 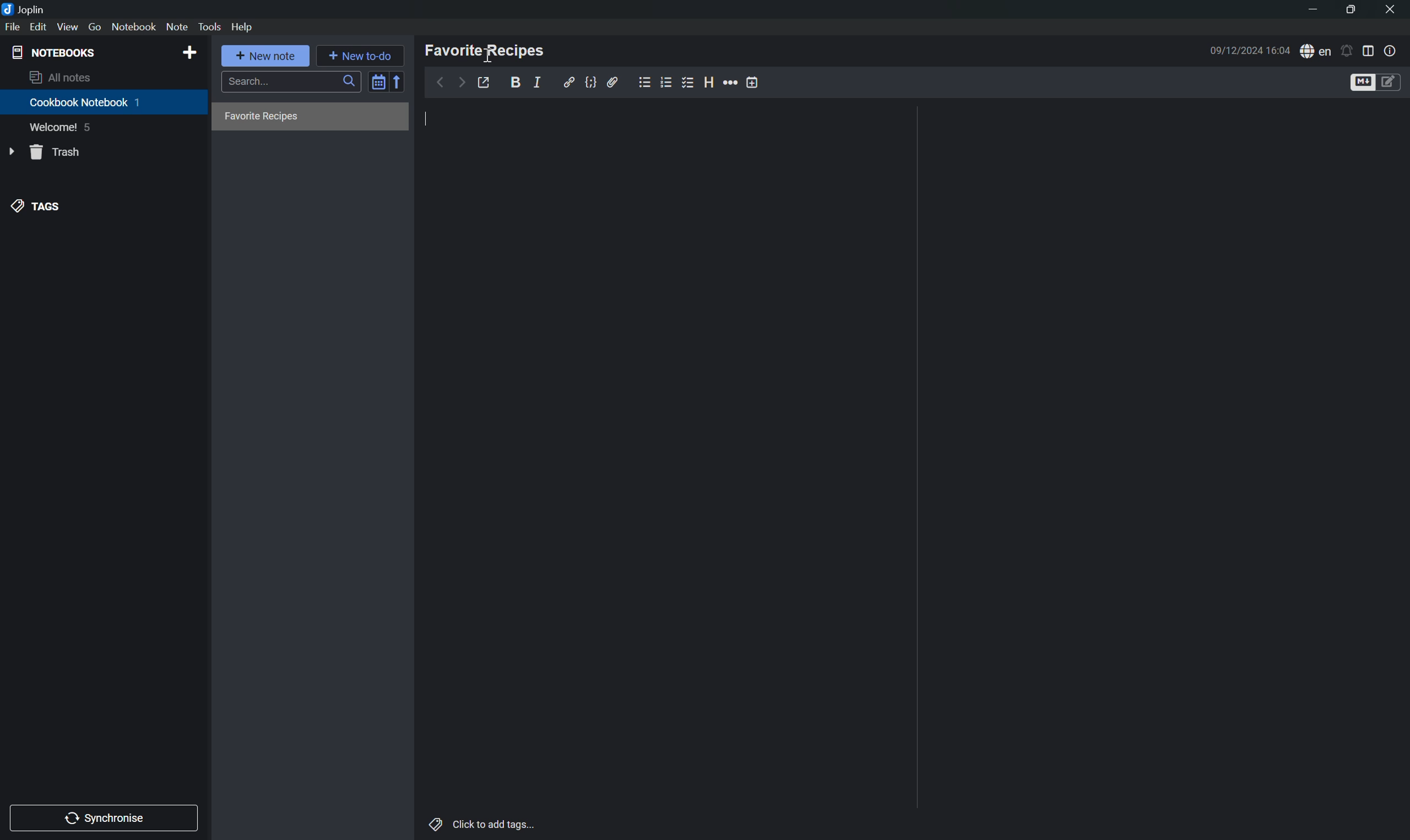 What do you see at coordinates (1371, 50) in the screenshot?
I see `Toggle editor layout` at bounding box center [1371, 50].